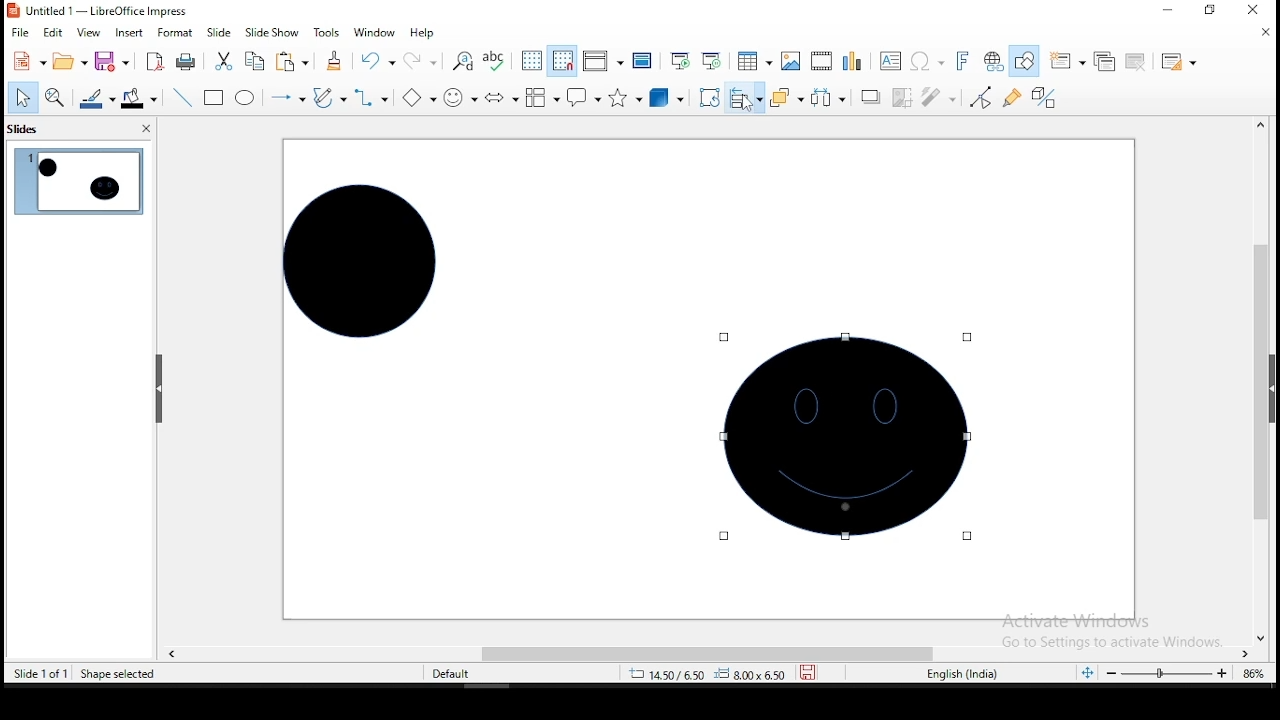 Image resolution: width=1280 pixels, height=720 pixels. What do you see at coordinates (499, 61) in the screenshot?
I see `spell check` at bounding box center [499, 61].